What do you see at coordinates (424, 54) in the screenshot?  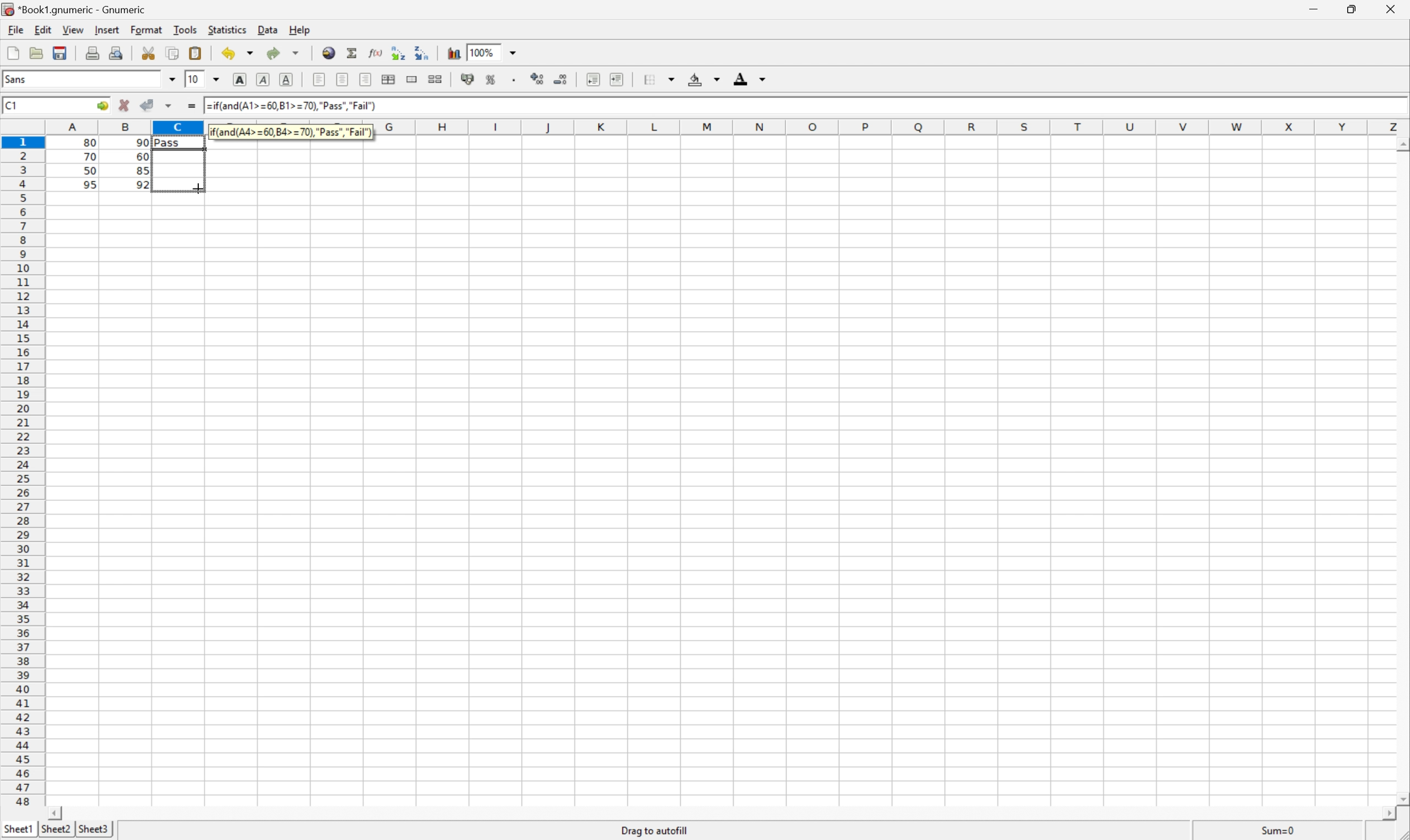 I see `Sort the selected region in descending order based on the first column selected` at bounding box center [424, 54].